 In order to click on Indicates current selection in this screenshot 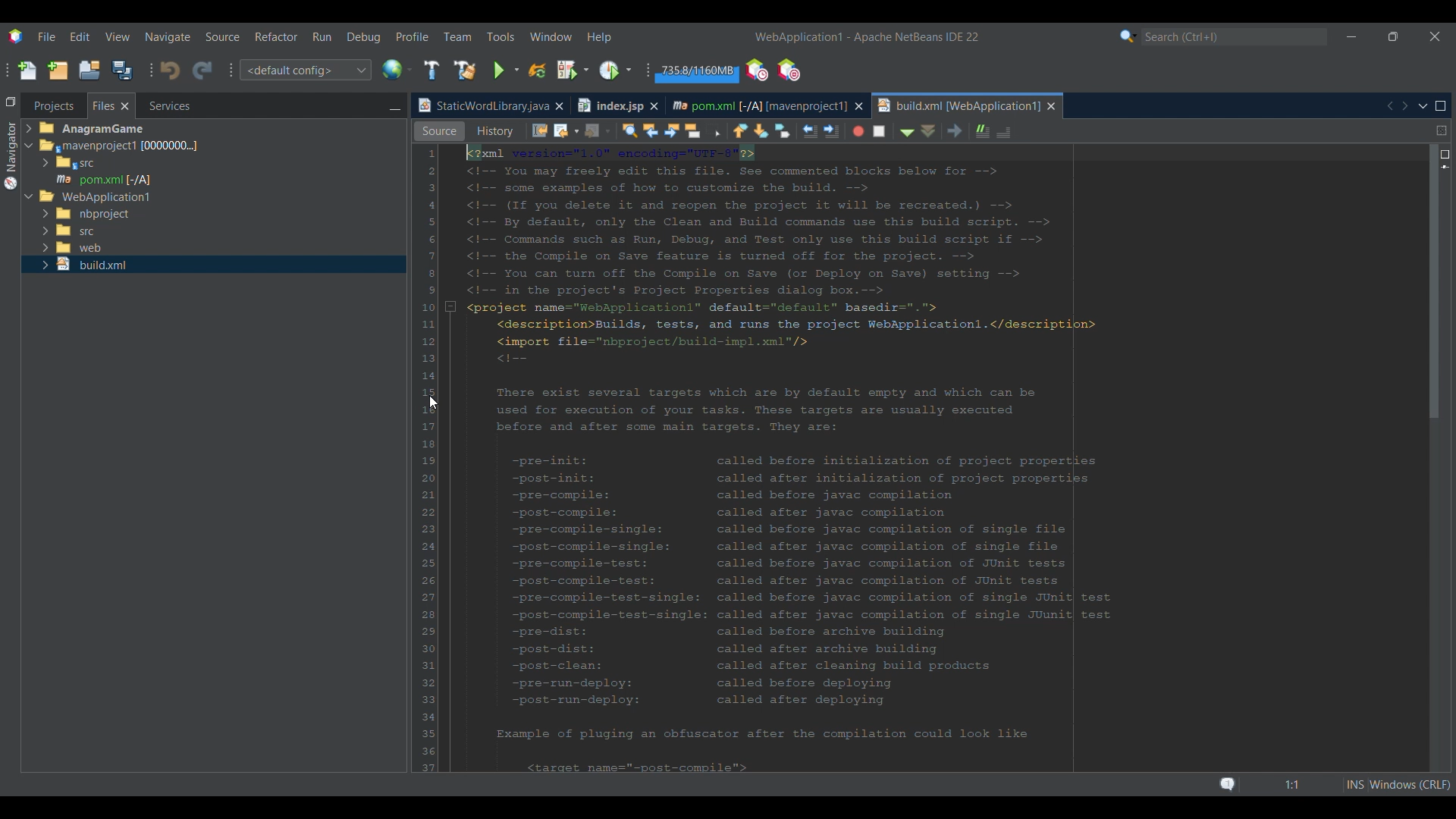, I will do `click(446, 299)`.